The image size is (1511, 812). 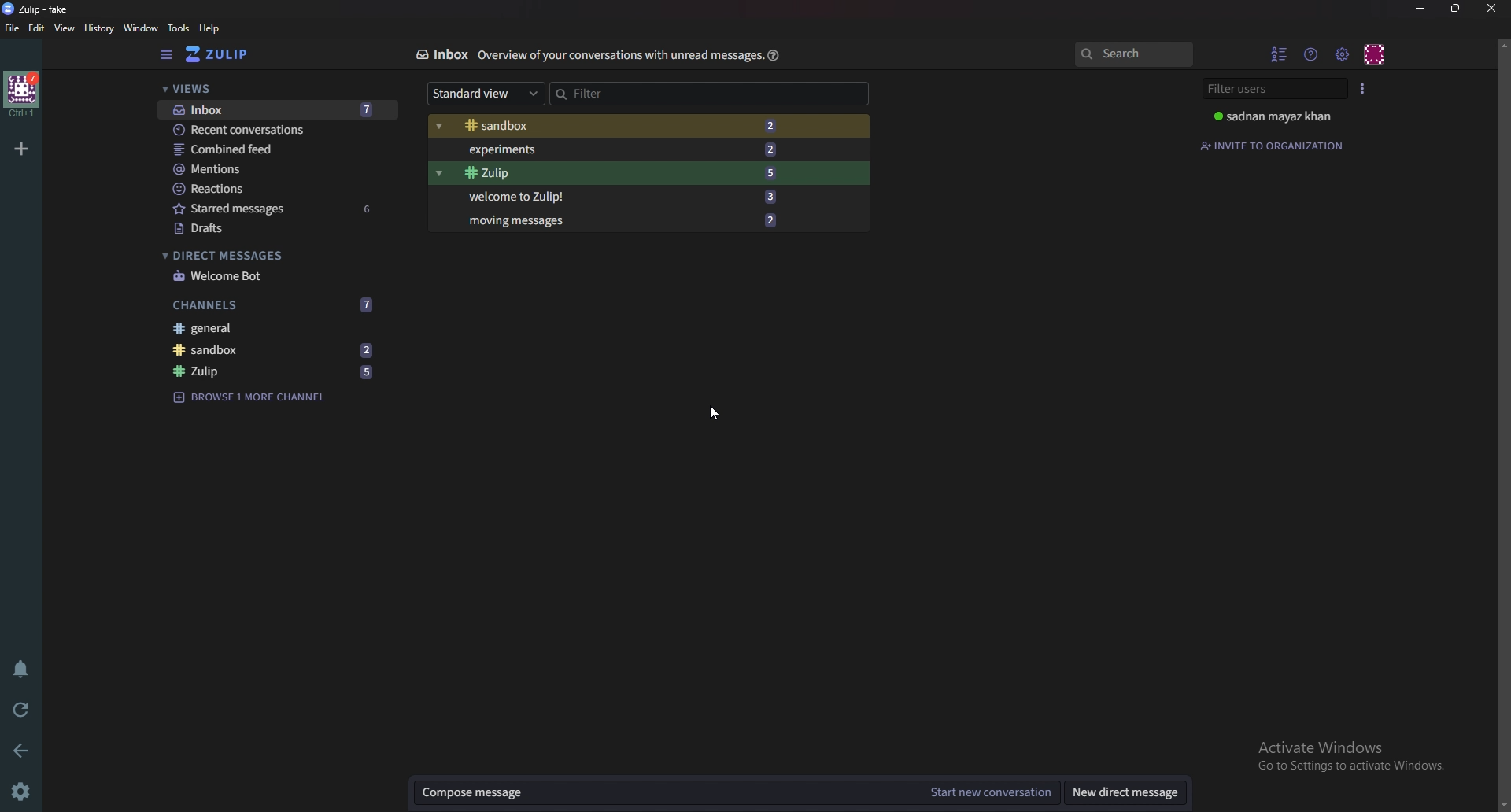 I want to click on hide User list, so click(x=1280, y=54).